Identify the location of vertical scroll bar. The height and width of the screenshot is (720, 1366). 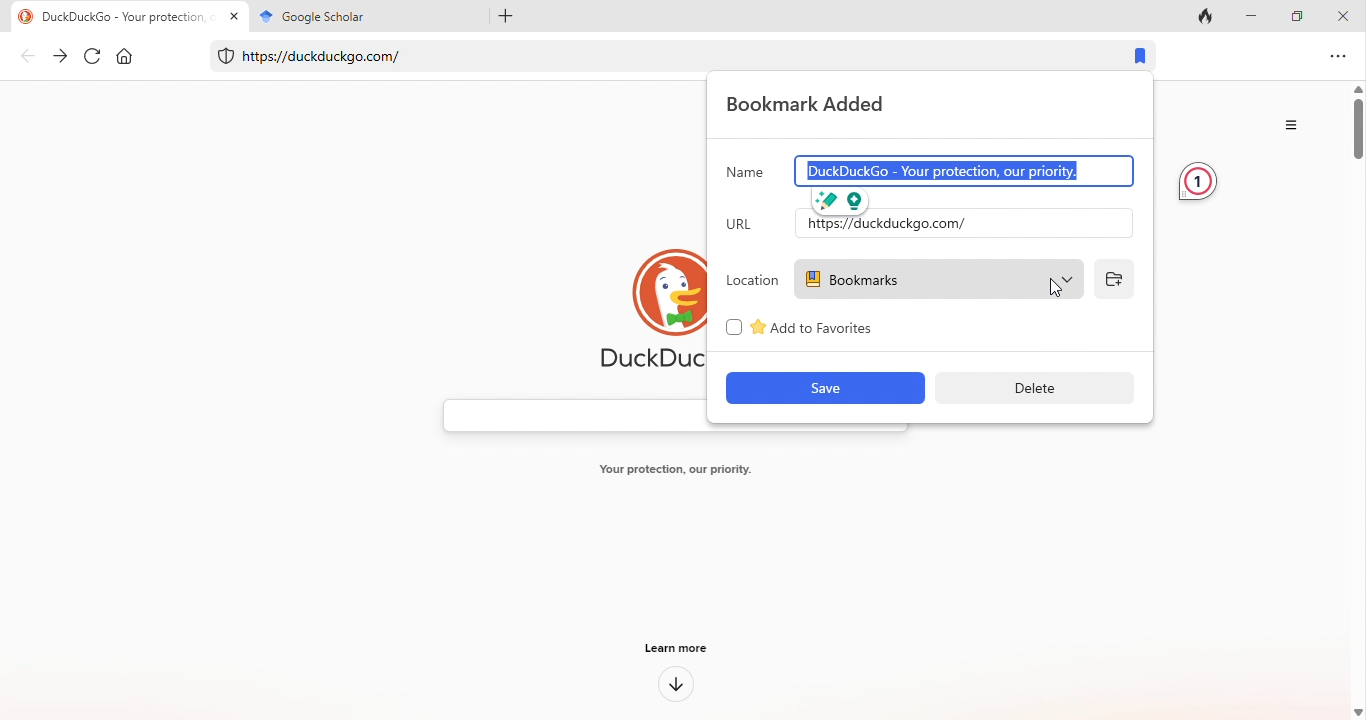
(1357, 136).